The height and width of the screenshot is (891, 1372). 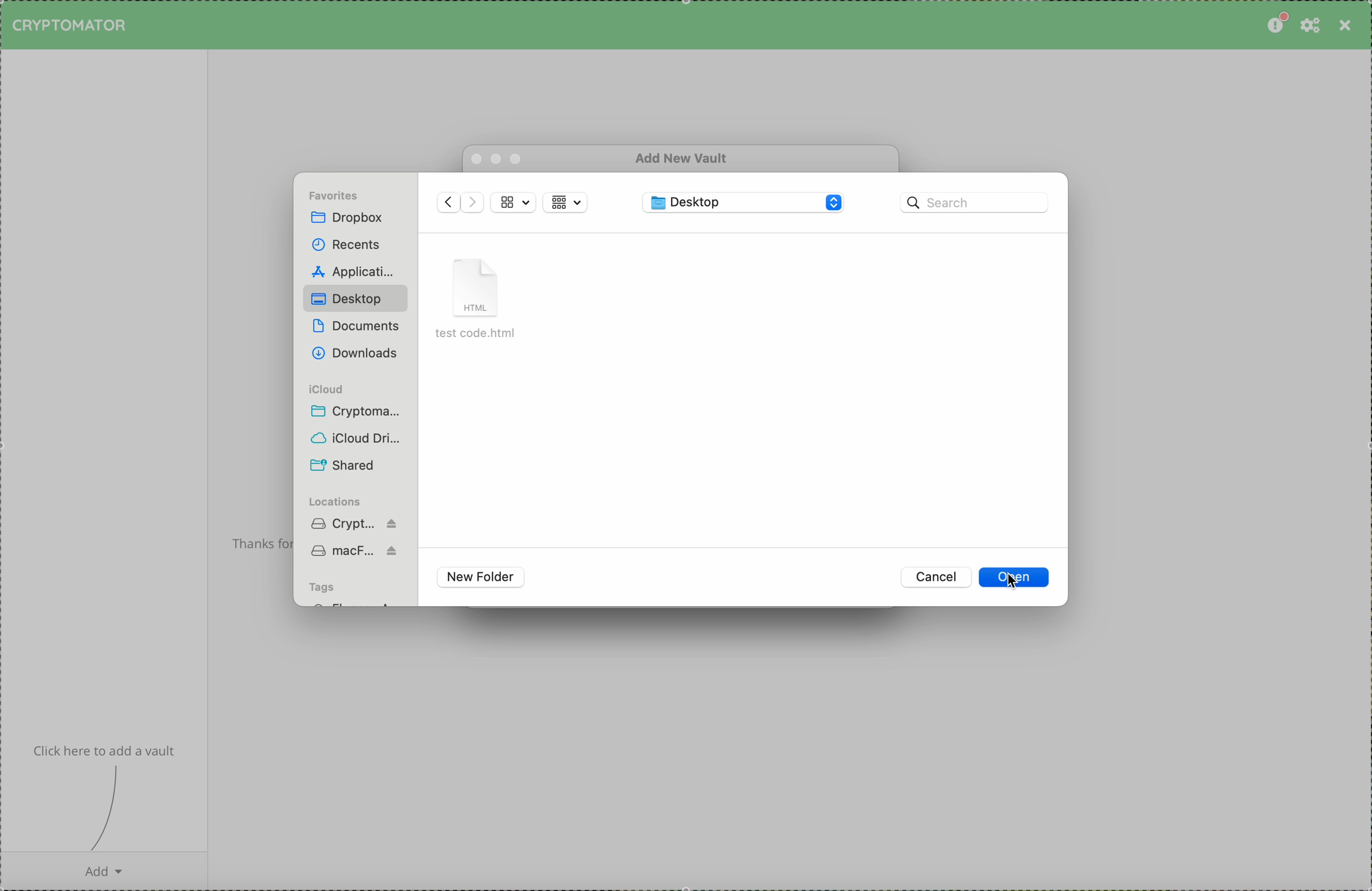 I want to click on applications, so click(x=354, y=272).